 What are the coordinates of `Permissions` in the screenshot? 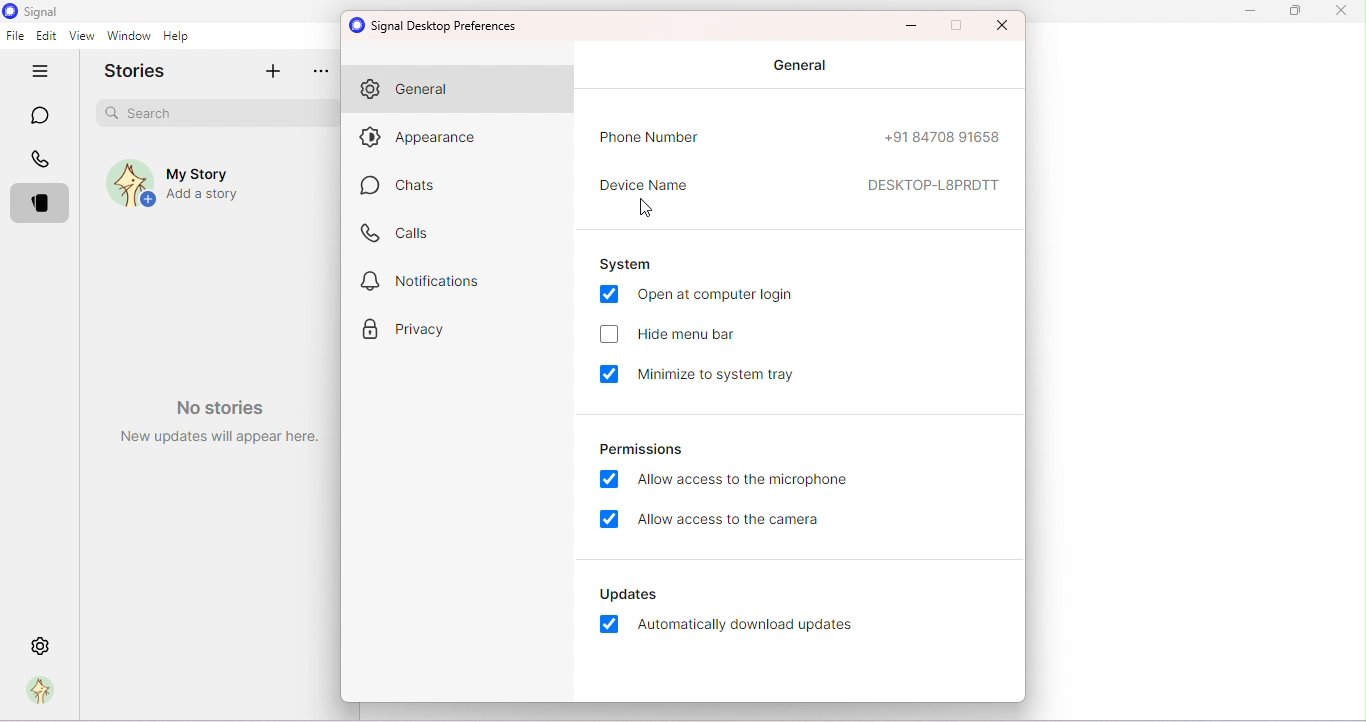 It's located at (639, 446).